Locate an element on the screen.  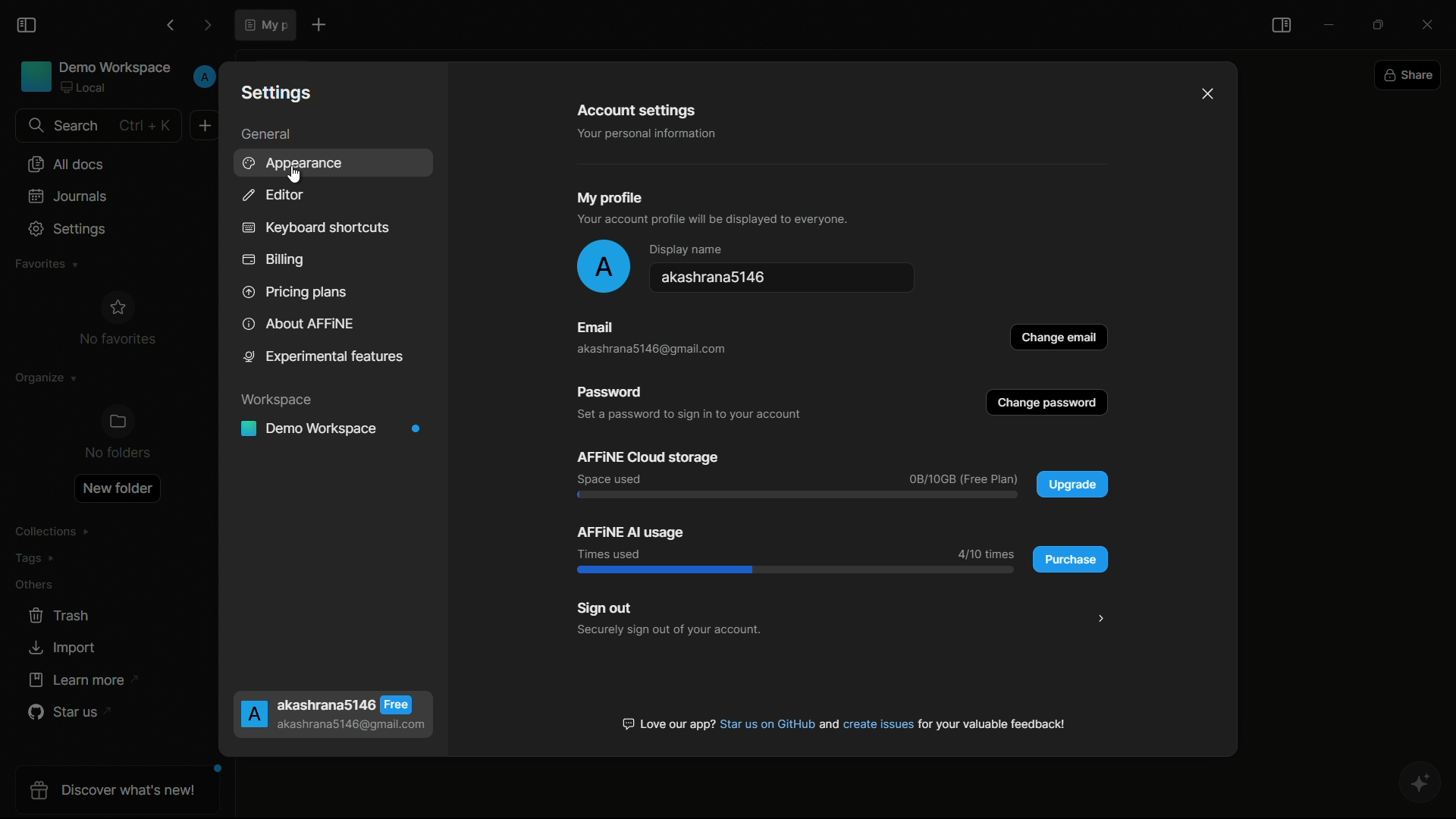
0B/10GB (Free Plan) is located at coordinates (962, 479).